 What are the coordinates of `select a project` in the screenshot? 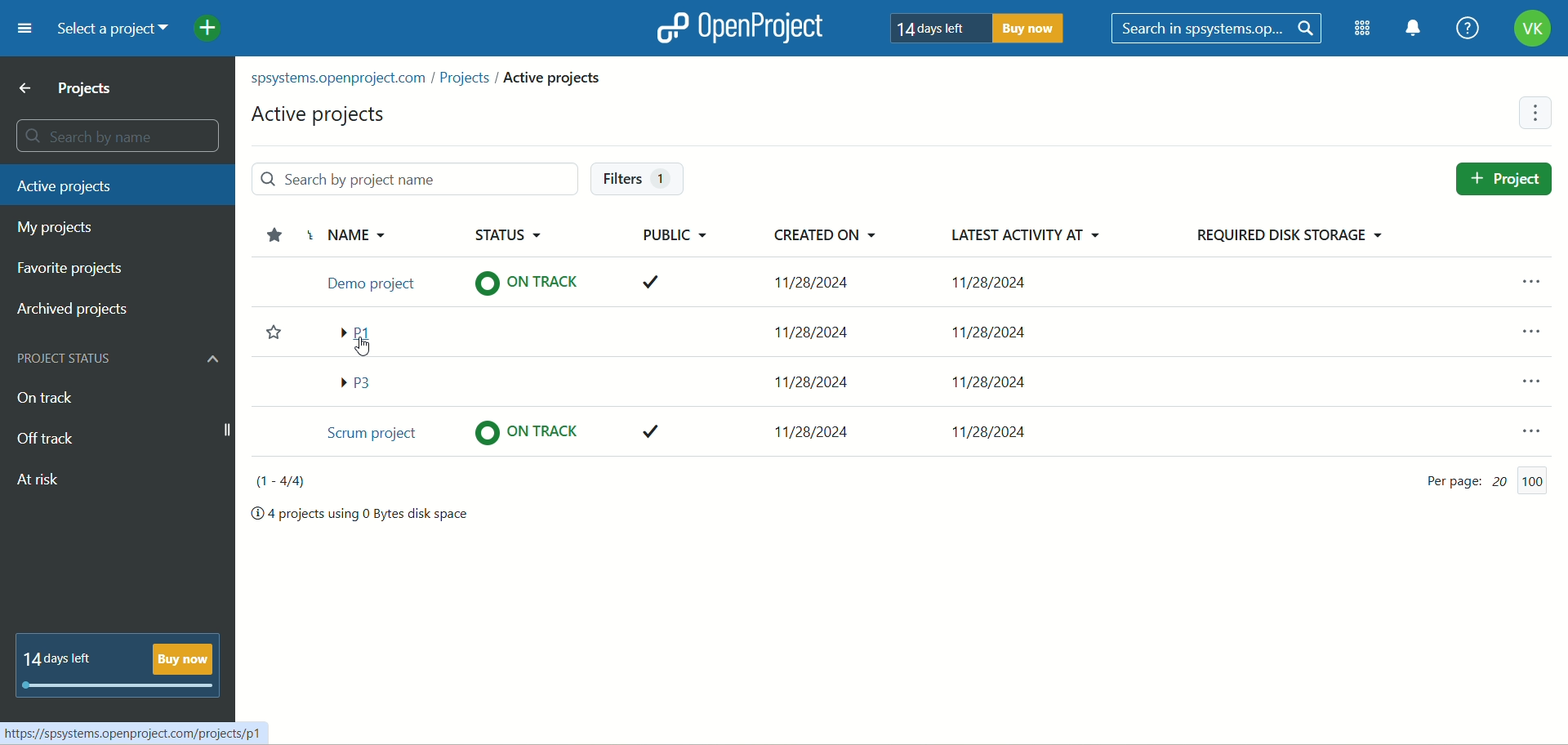 It's located at (112, 27).